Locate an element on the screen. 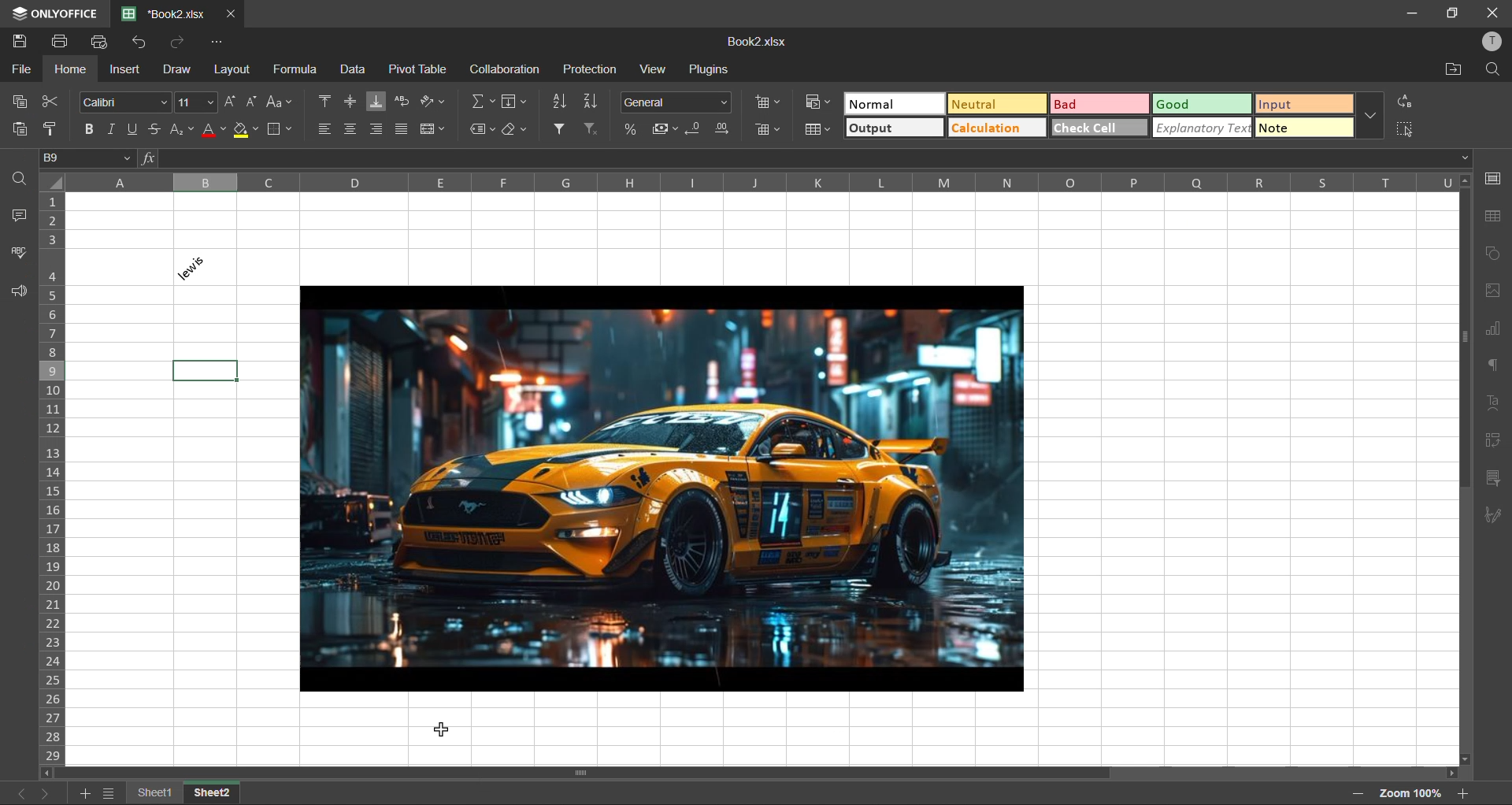  pivot table is located at coordinates (1492, 438).